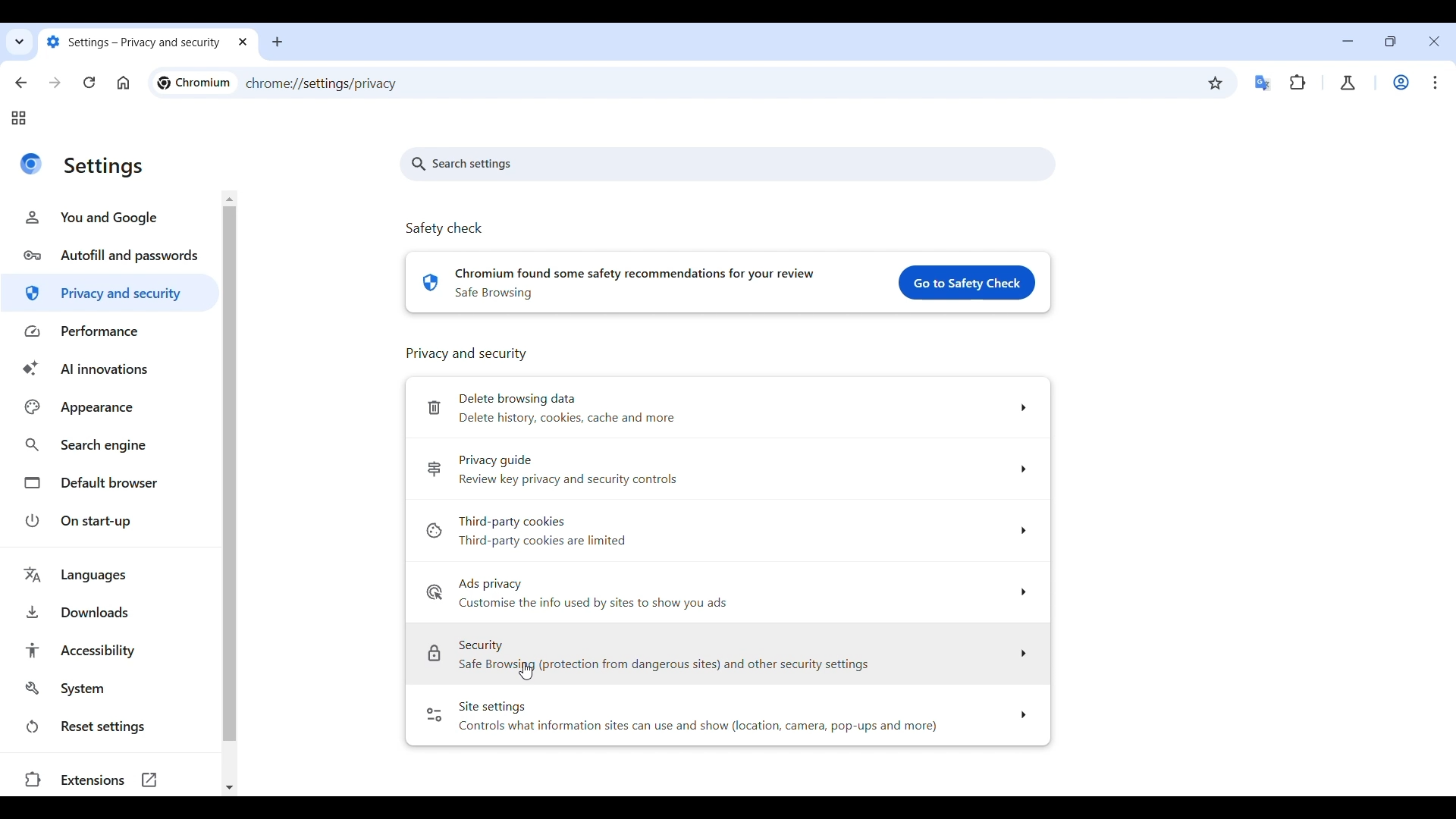  I want to click on settings- privacy and security, so click(135, 42).